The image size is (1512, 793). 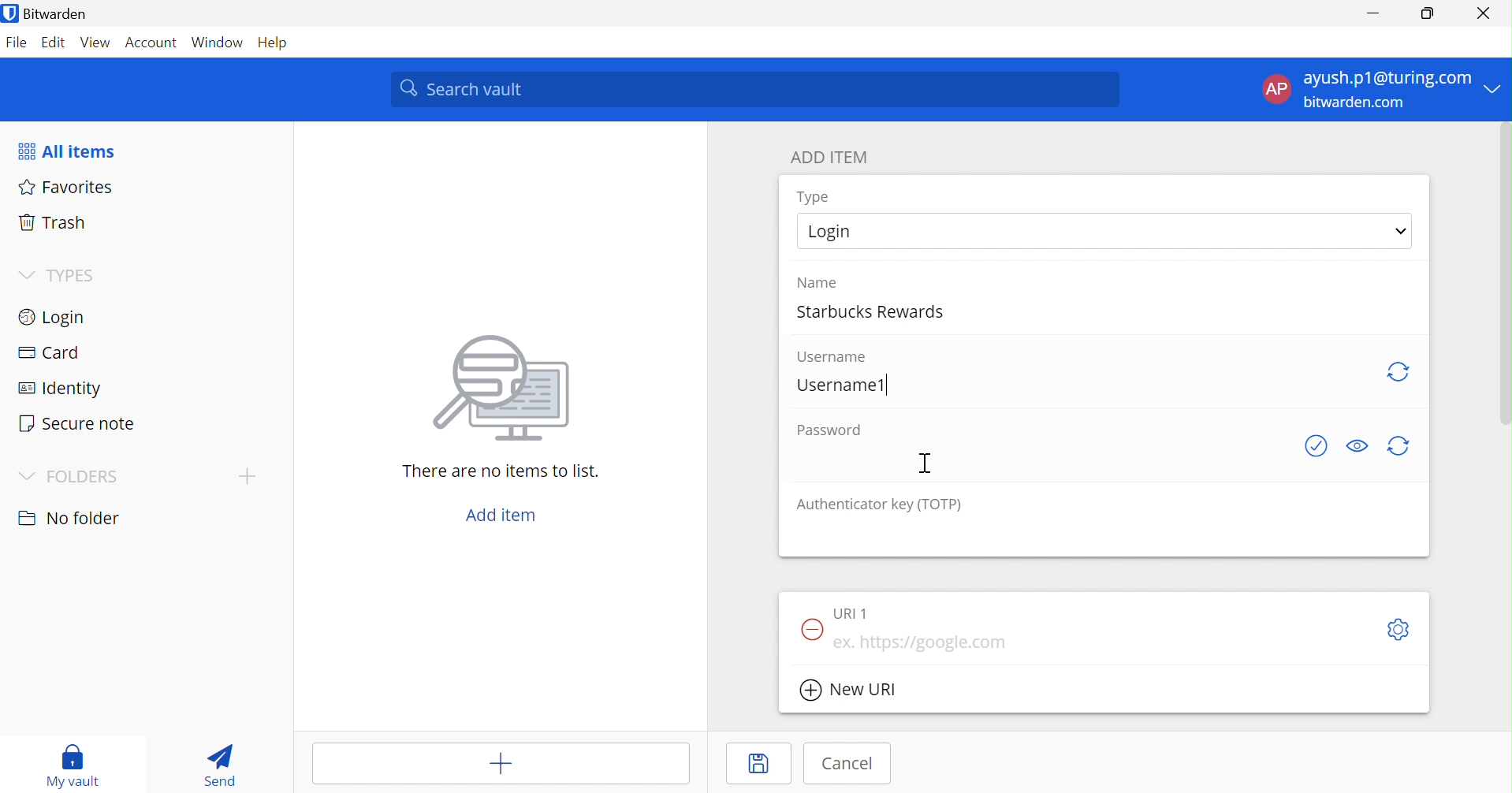 I want to click on Password, so click(x=829, y=430).